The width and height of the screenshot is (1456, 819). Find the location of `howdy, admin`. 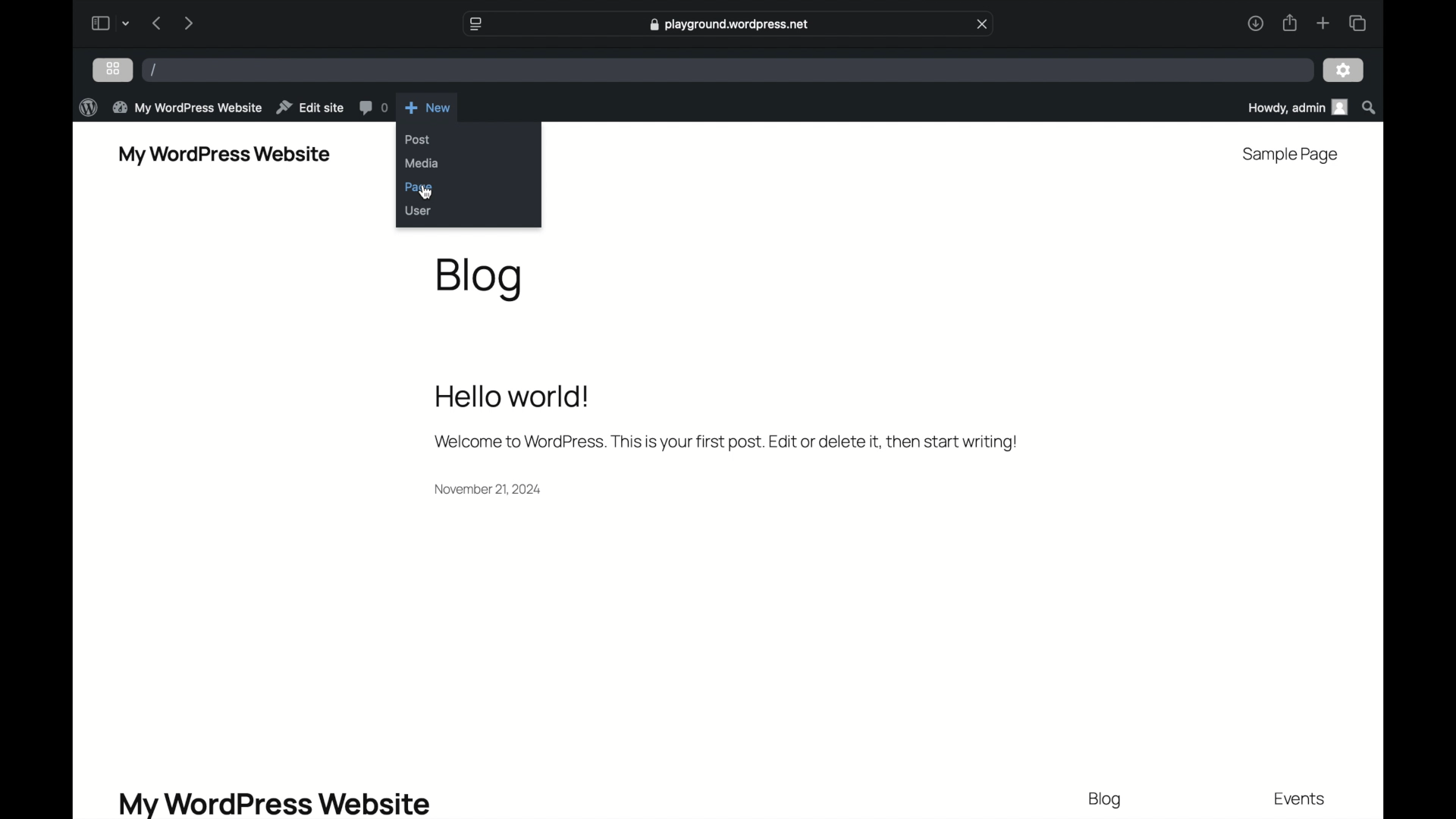

howdy, admin is located at coordinates (1296, 107).